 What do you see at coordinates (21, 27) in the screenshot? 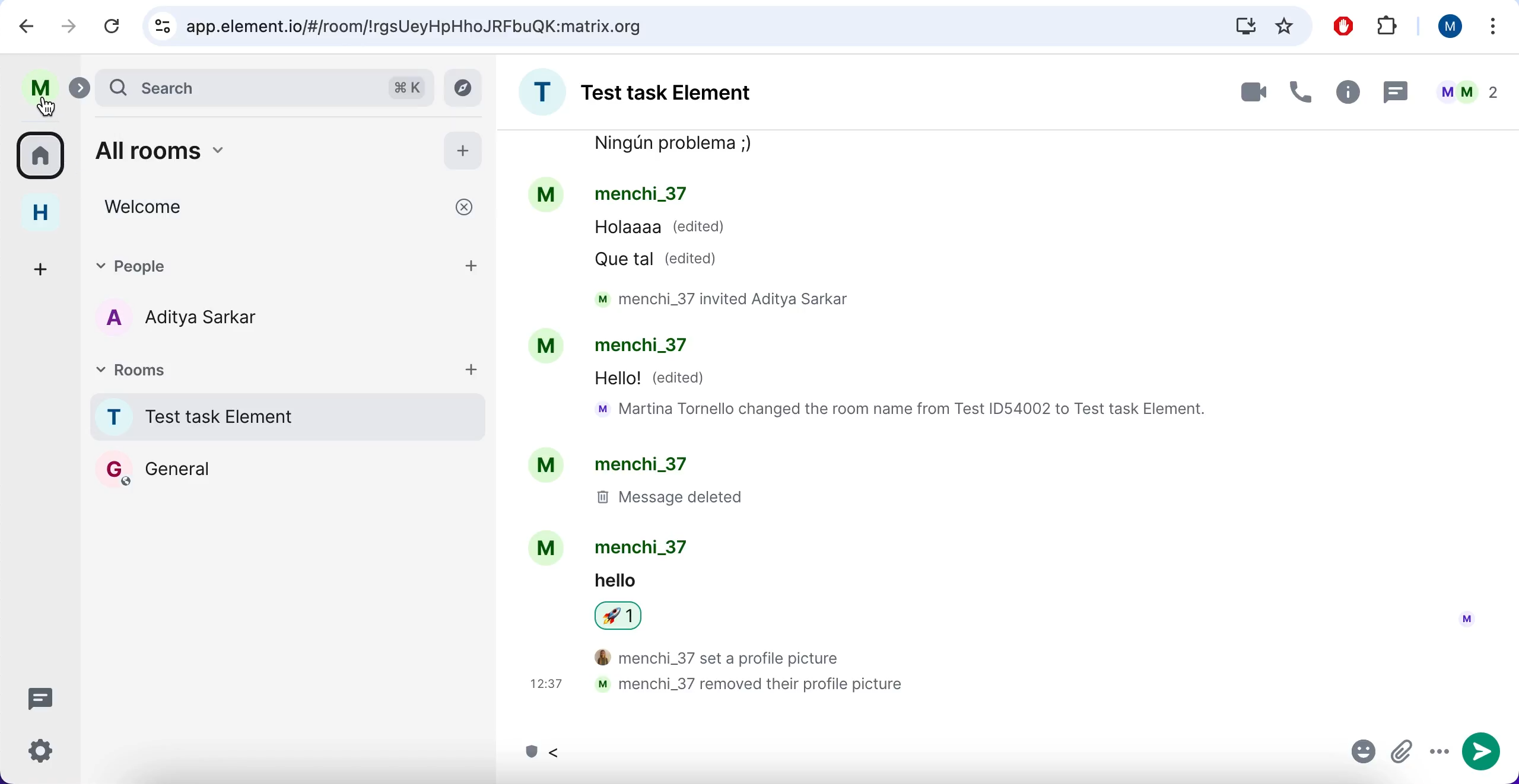
I see `backward` at bounding box center [21, 27].